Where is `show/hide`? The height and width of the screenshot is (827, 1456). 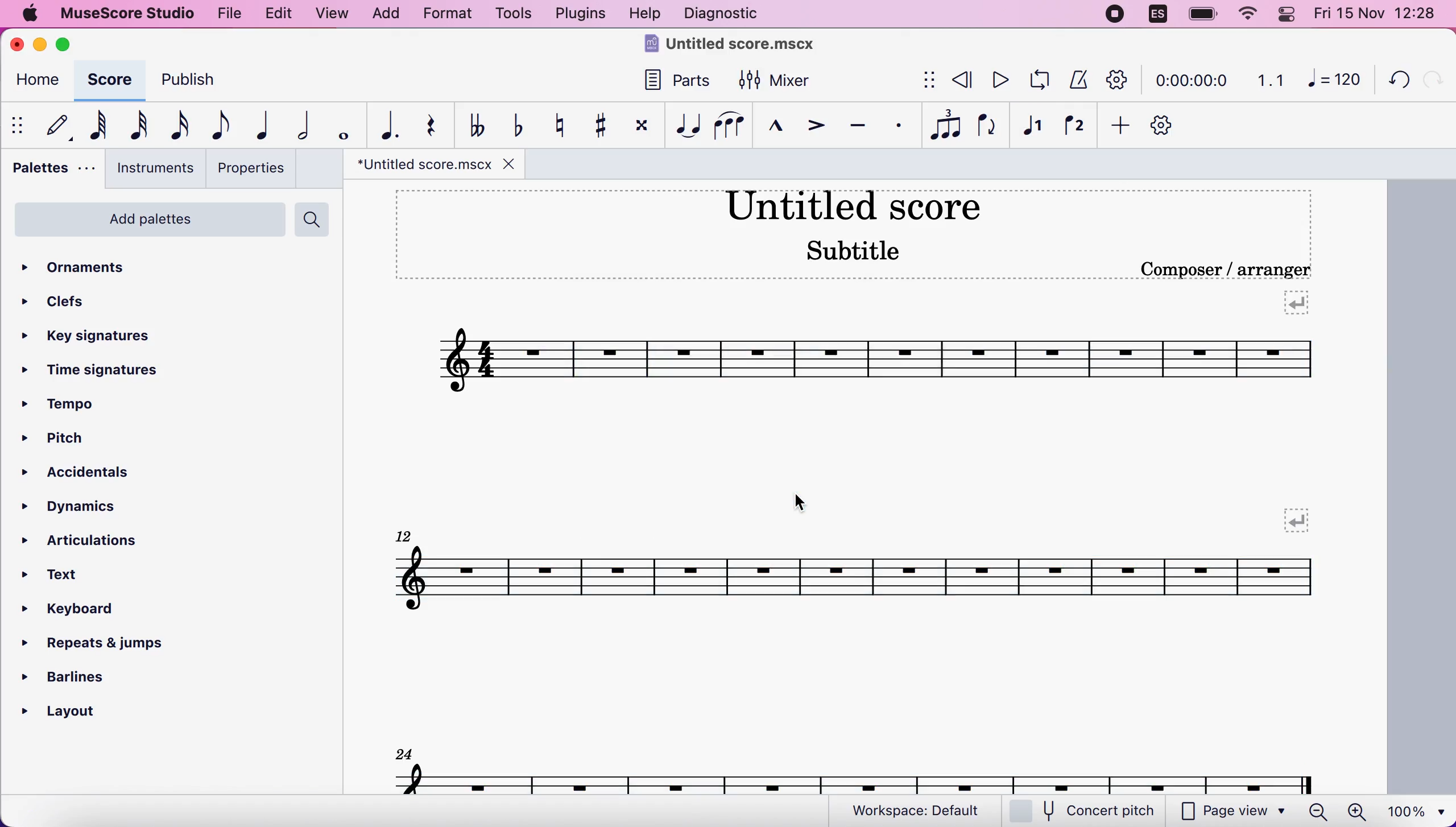
show/hide is located at coordinates (19, 125).